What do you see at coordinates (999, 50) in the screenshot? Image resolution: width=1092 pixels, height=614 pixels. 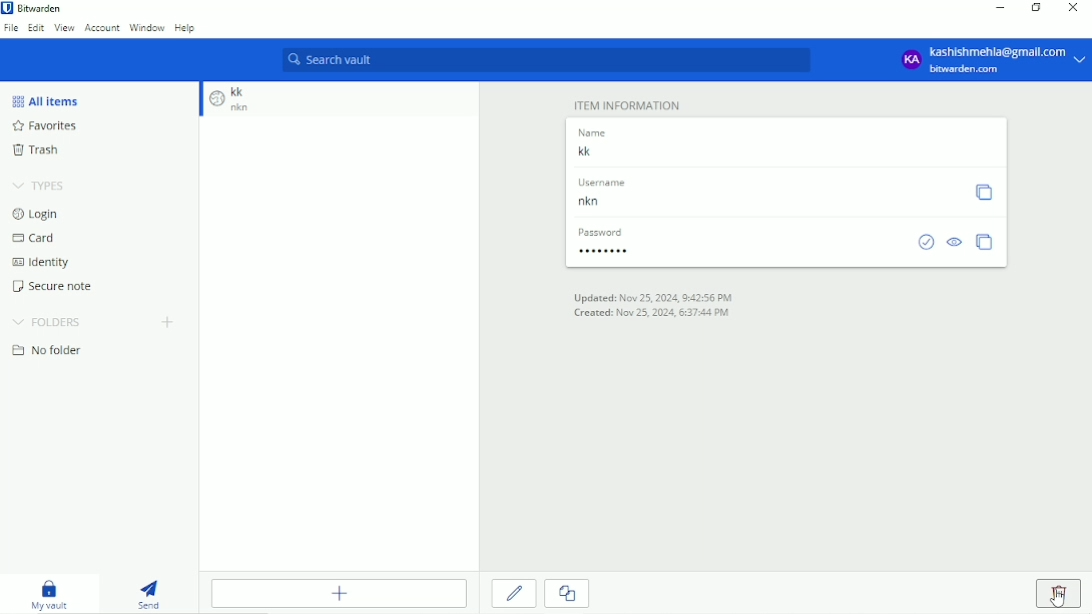 I see `kashishmehla@gmall.com` at bounding box center [999, 50].